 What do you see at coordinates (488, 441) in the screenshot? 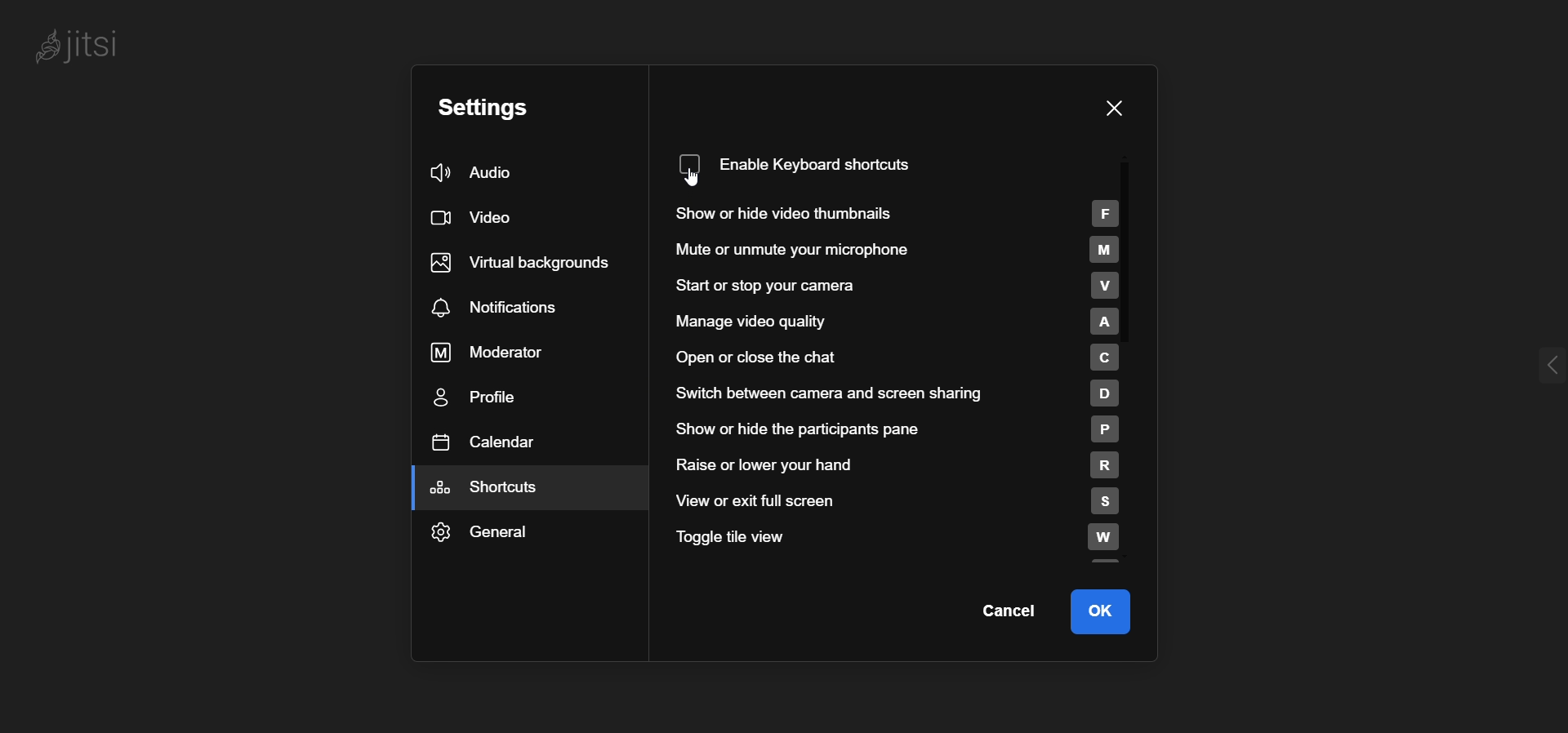
I see `calendar` at bounding box center [488, 441].